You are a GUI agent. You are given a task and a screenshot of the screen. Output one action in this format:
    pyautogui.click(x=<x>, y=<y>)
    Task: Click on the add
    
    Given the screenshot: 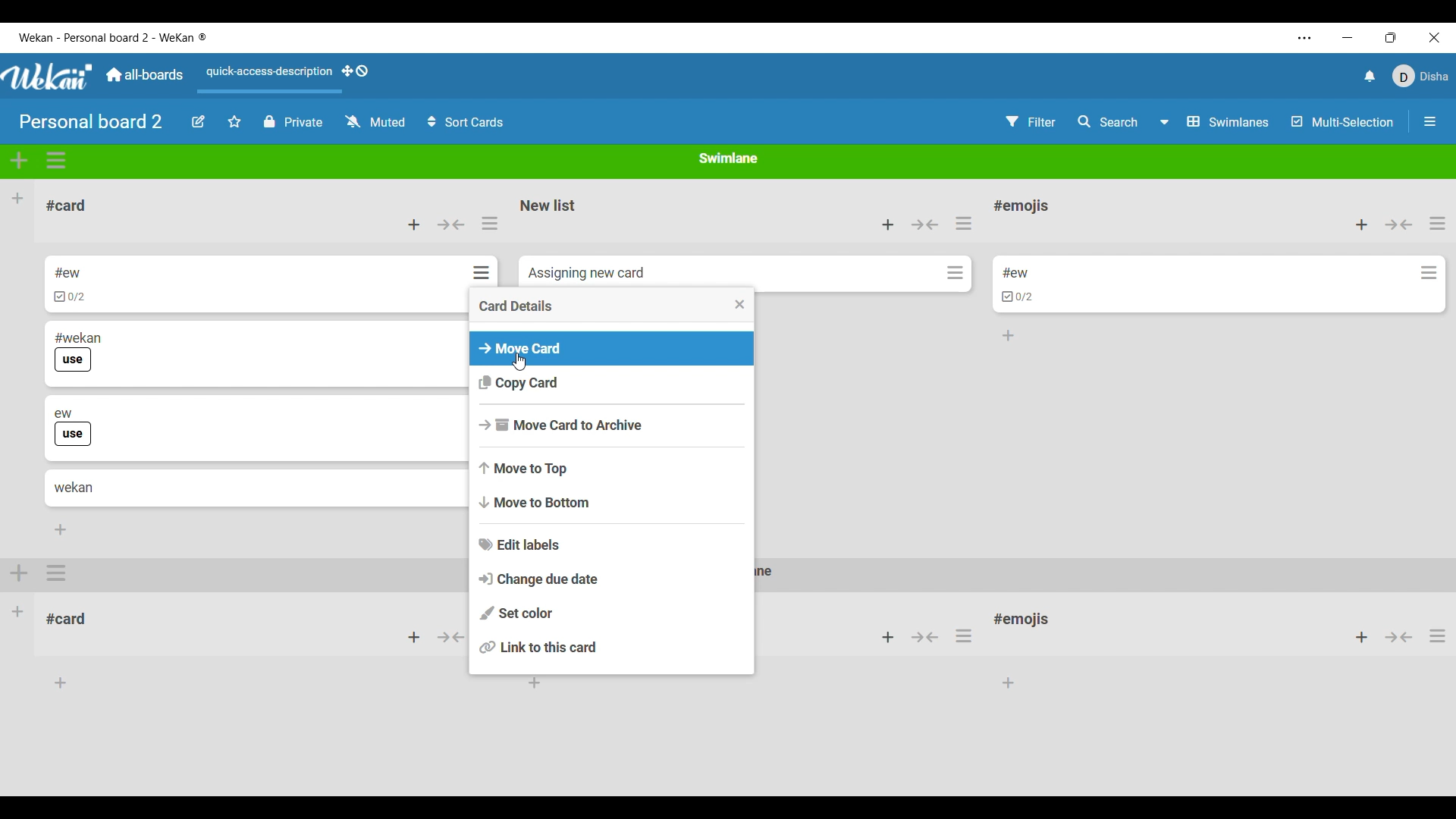 What is the action you would take?
    pyautogui.click(x=20, y=571)
    